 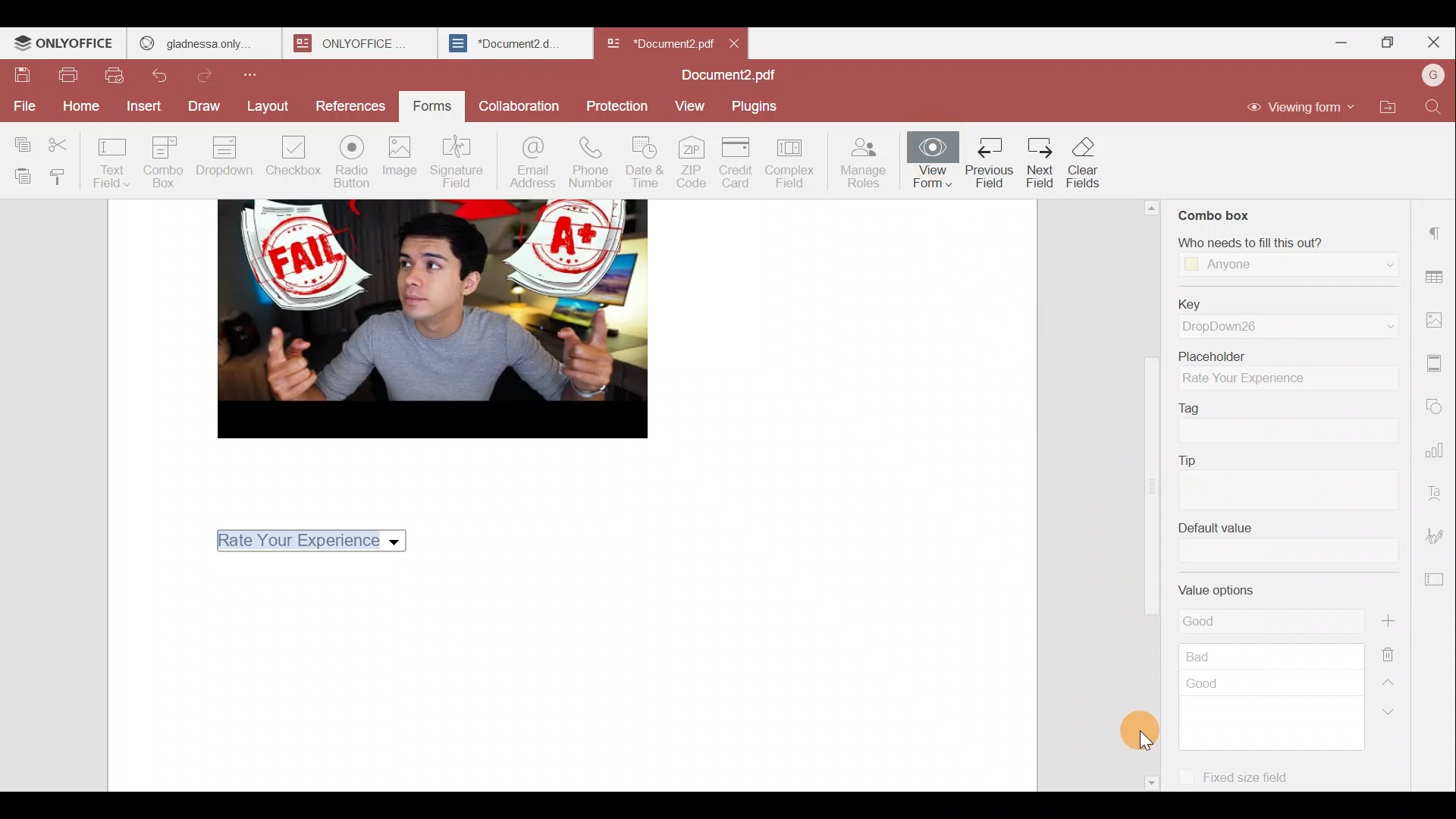 What do you see at coordinates (315, 539) in the screenshot?
I see `Rate Your Experience ` at bounding box center [315, 539].